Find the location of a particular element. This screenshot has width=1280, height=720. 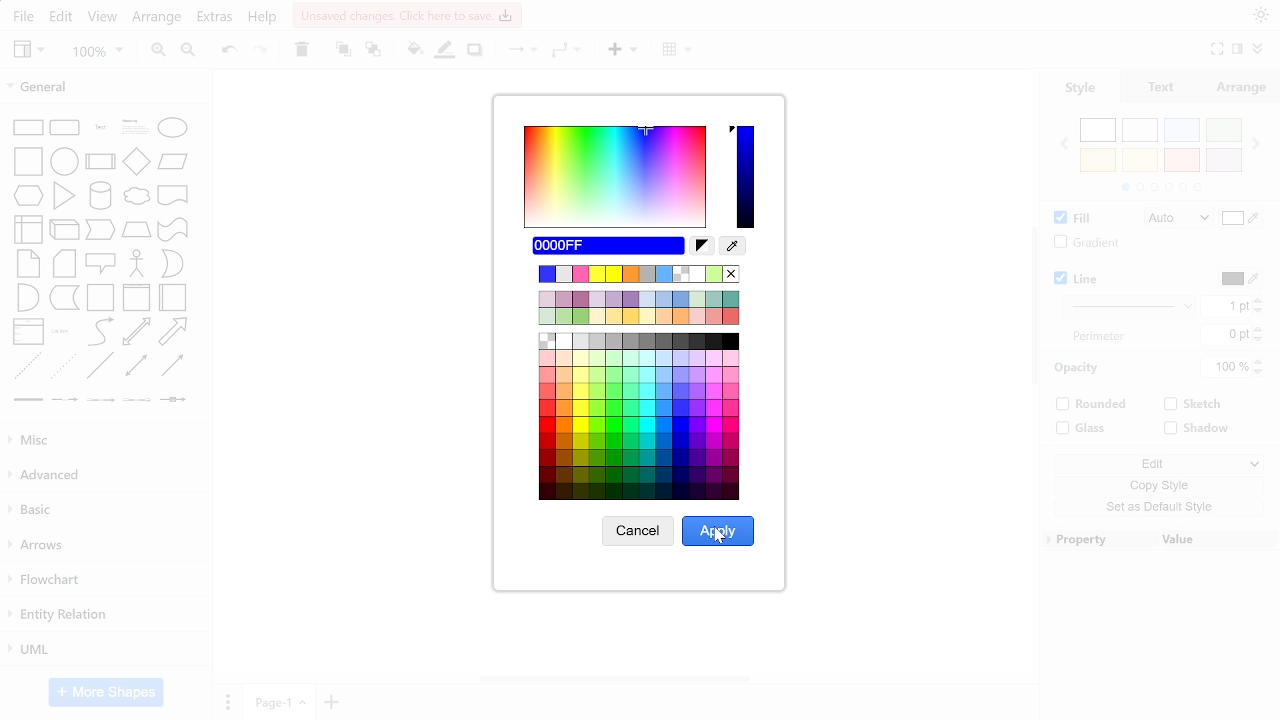

apearence is located at coordinates (1261, 15).